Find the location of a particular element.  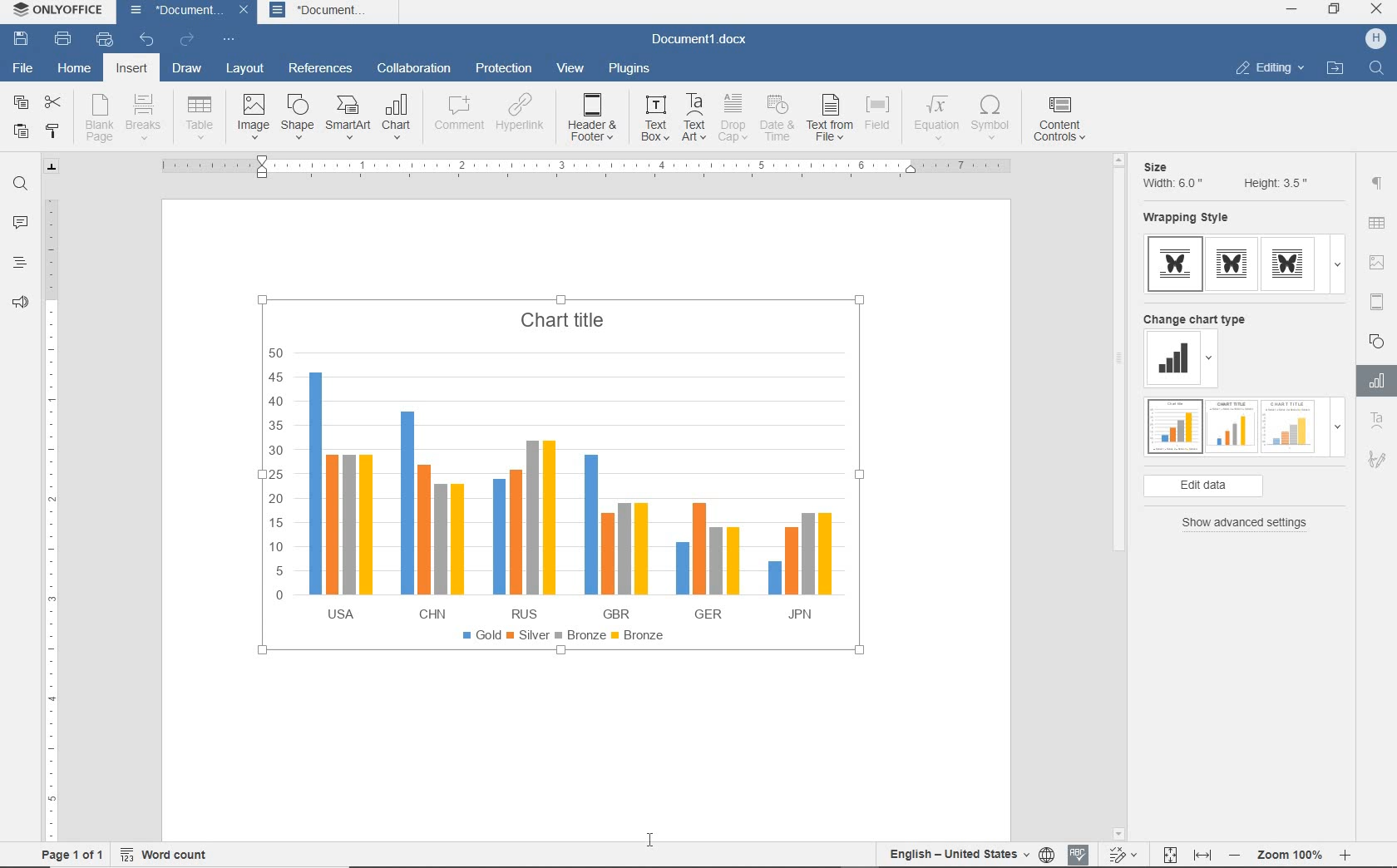

comments is located at coordinates (21, 224).